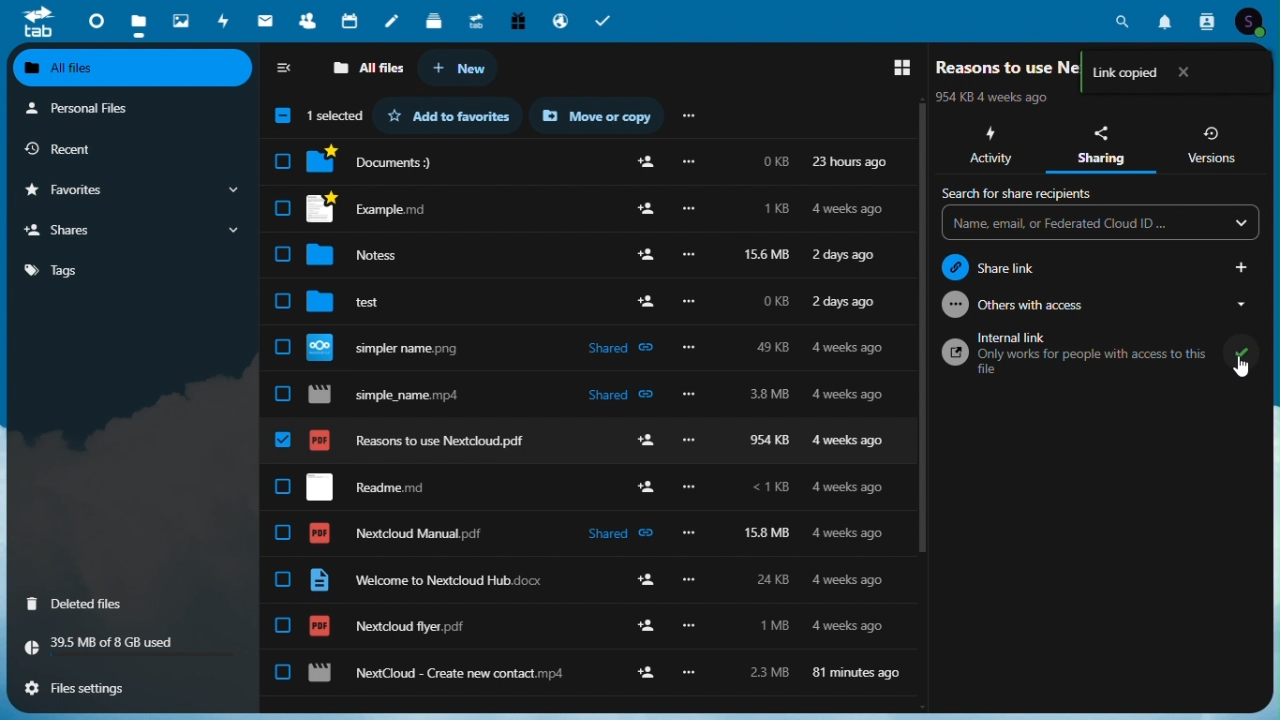  Describe the element at coordinates (283, 302) in the screenshot. I see `check box` at that location.